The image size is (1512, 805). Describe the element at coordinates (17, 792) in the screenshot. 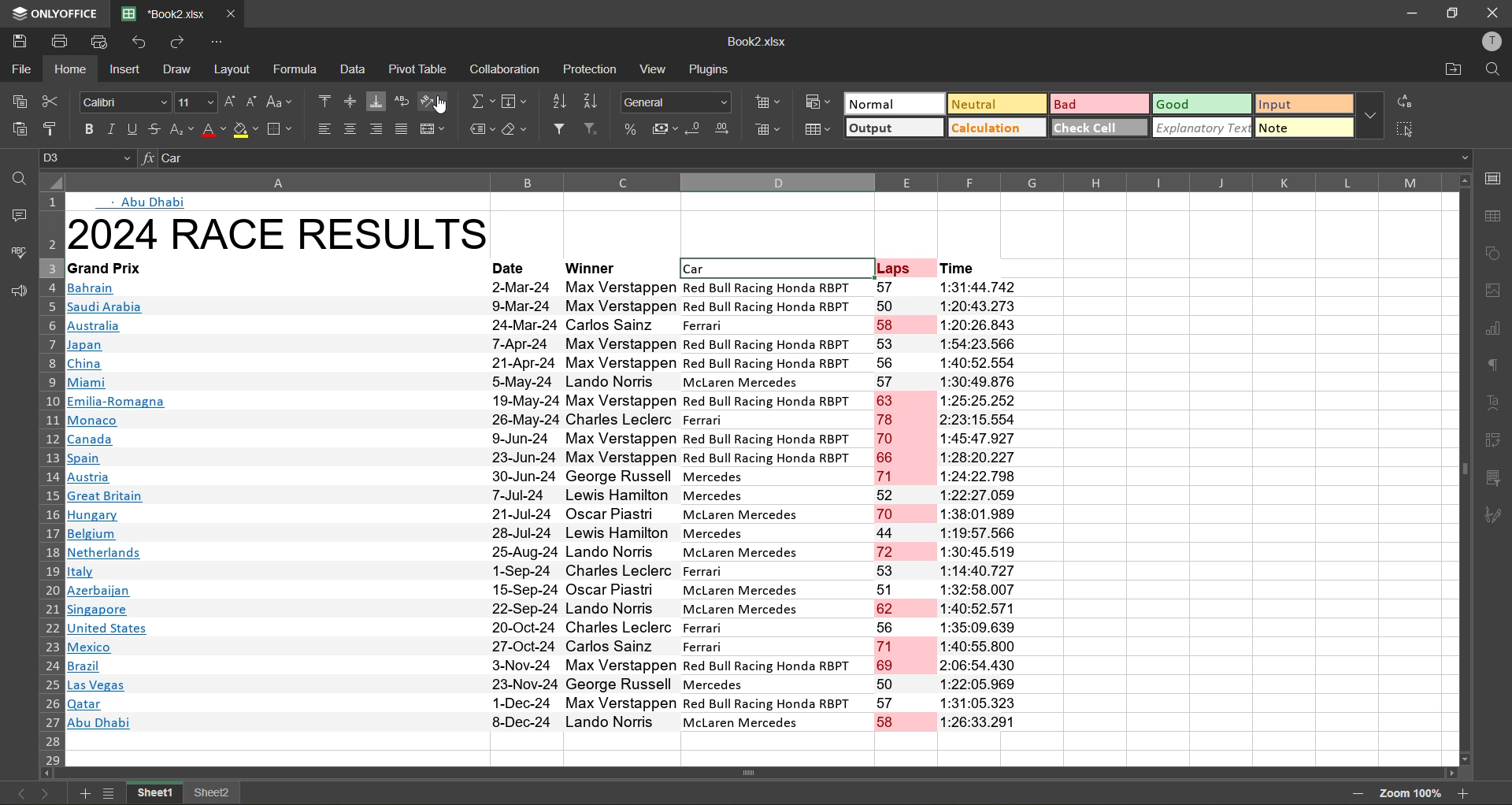

I see `previous` at that location.